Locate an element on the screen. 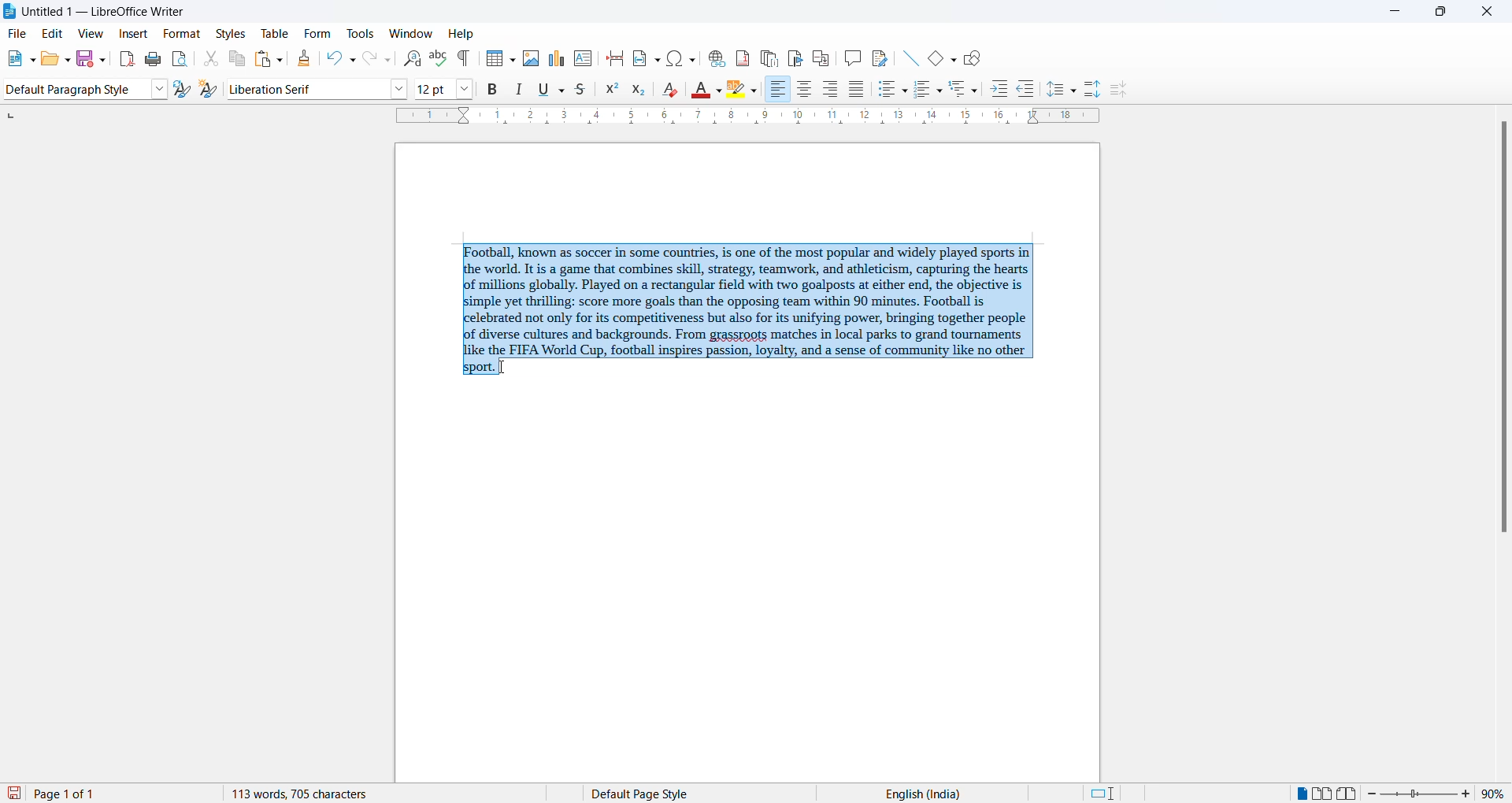  toggle ordered list  is located at coordinates (941, 91).